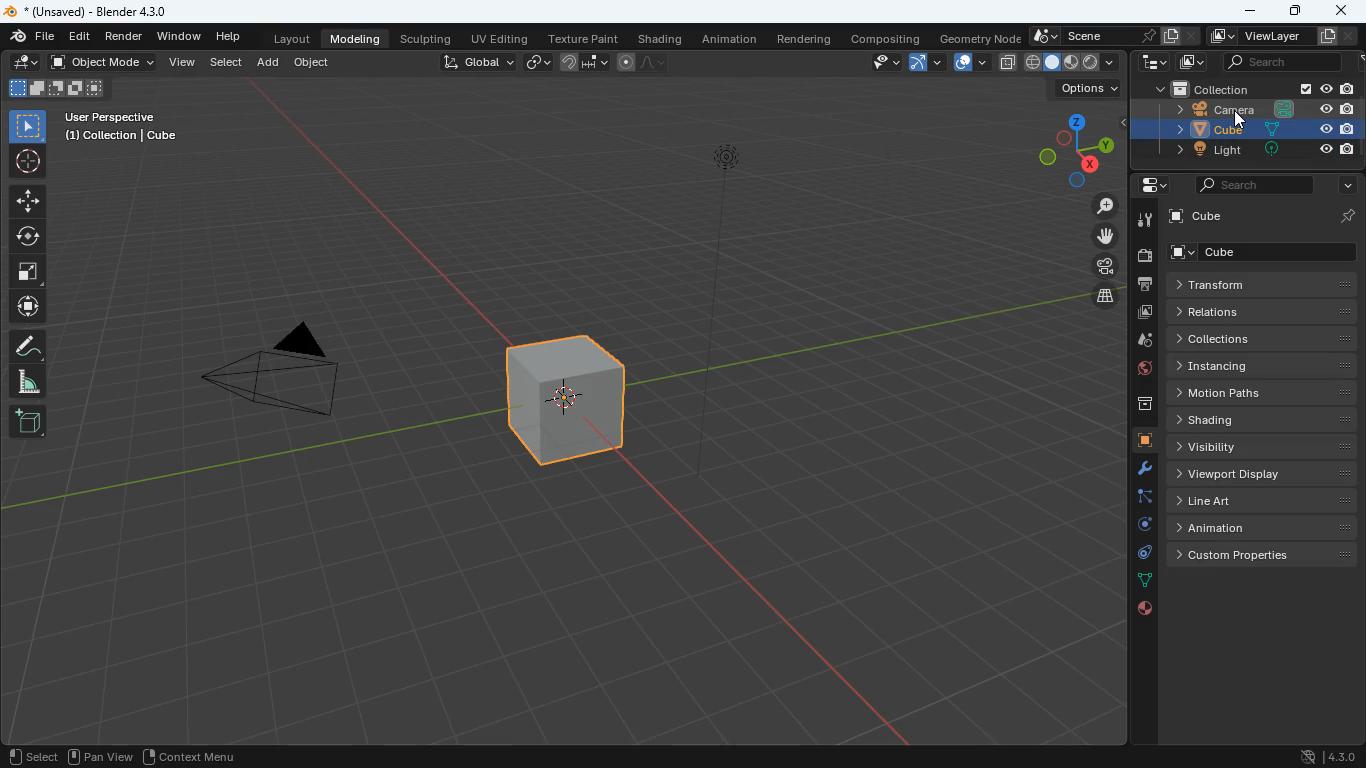 The height and width of the screenshot is (768, 1366). Describe the element at coordinates (890, 37) in the screenshot. I see `compositing` at that location.